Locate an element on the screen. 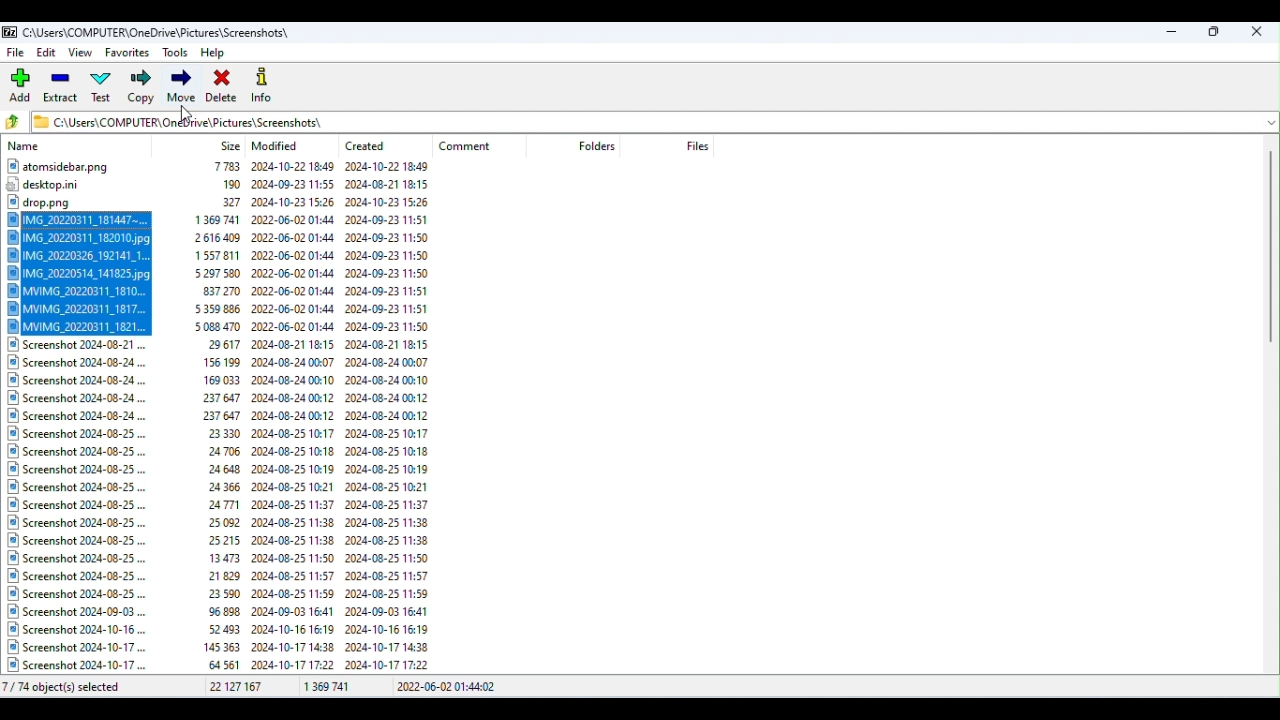 This screenshot has width=1280, height=720. File address bar is located at coordinates (643, 120).